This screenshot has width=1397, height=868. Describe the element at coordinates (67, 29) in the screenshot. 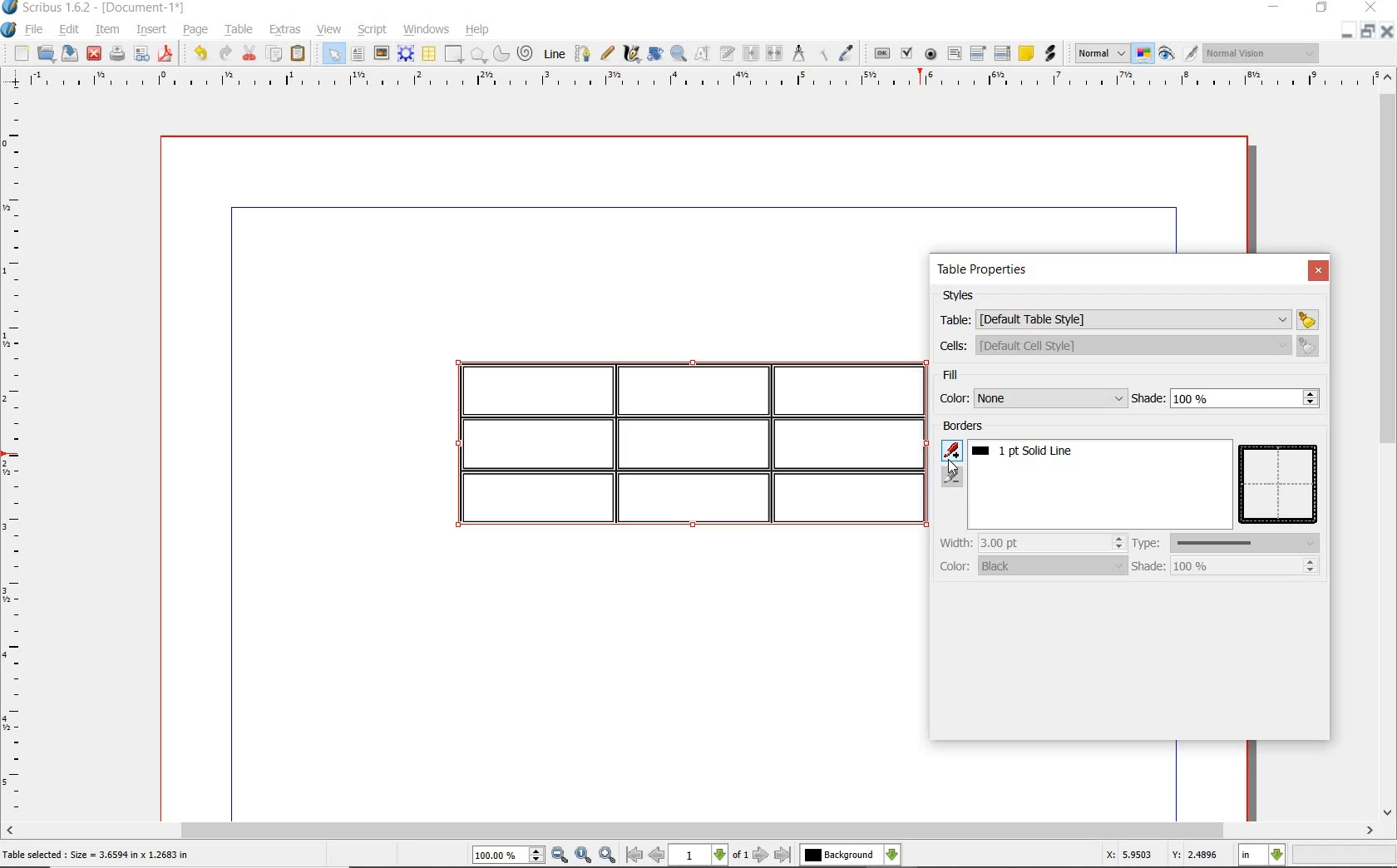

I see `edit` at that location.